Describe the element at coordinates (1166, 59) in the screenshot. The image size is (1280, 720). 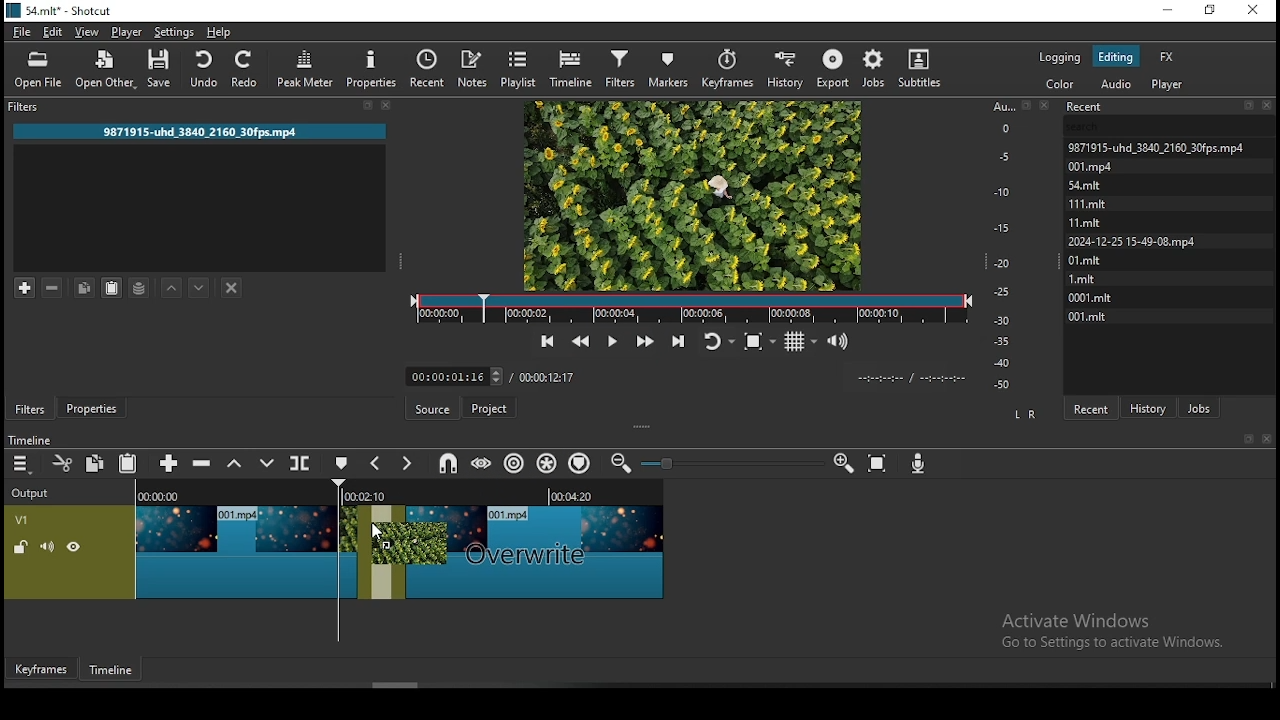
I see `fx` at that location.